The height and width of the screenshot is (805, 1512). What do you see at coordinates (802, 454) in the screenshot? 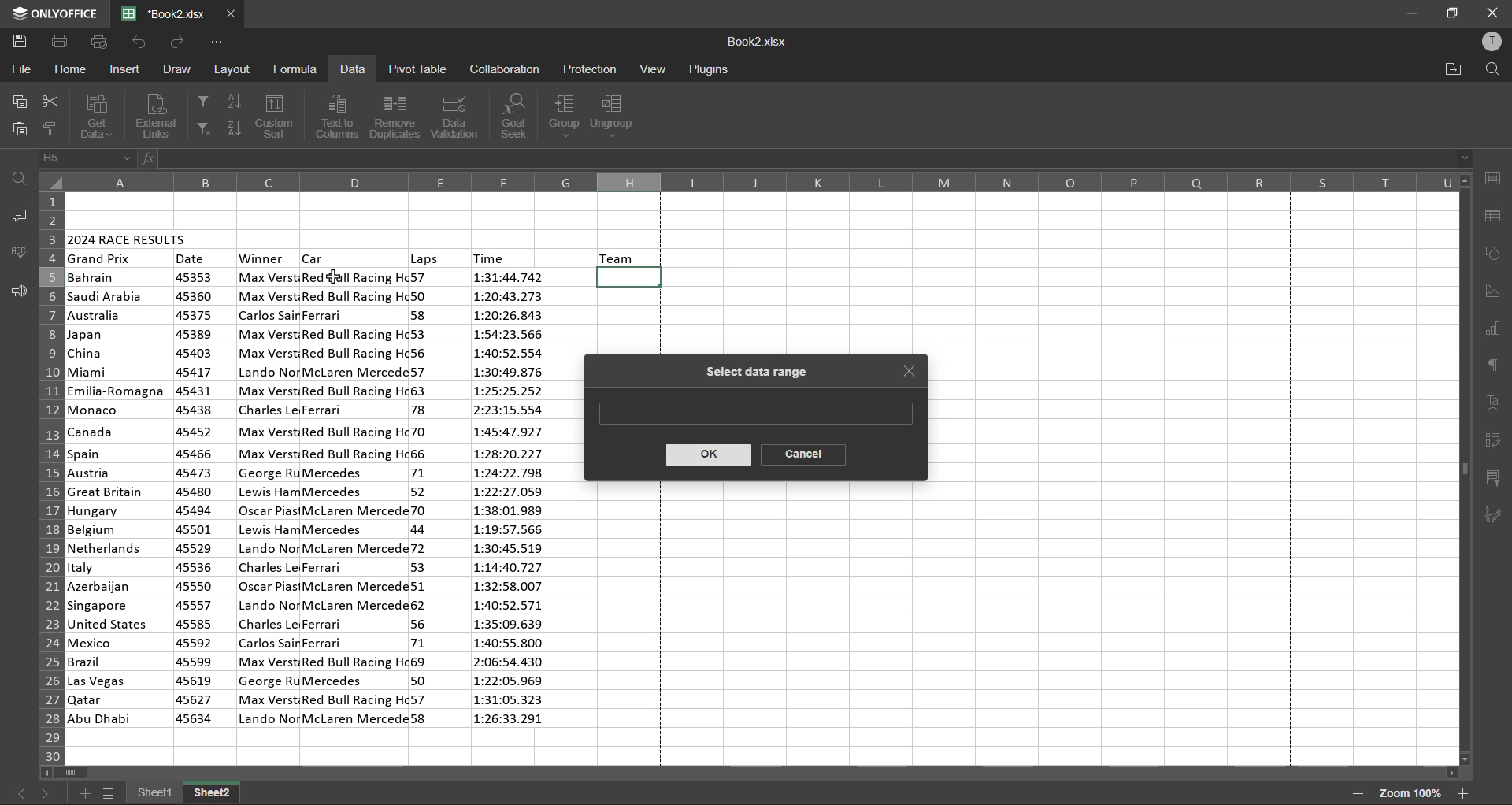
I see `cancel` at bounding box center [802, 454].